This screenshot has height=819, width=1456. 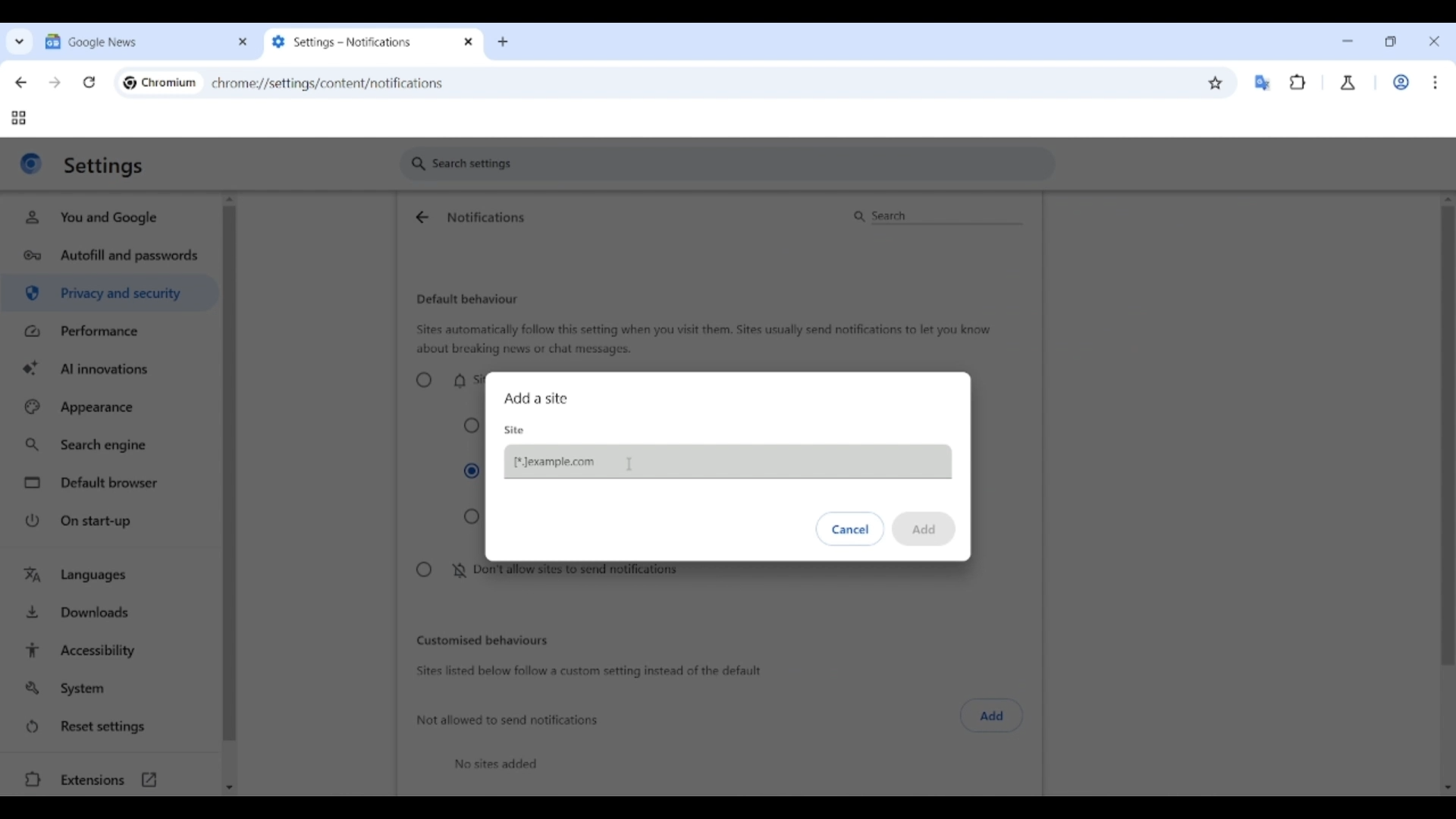 What do you see at coordinates (230, 199) in the screenshot?
I see `Quick slide to top` at bounding box center [230, 199].